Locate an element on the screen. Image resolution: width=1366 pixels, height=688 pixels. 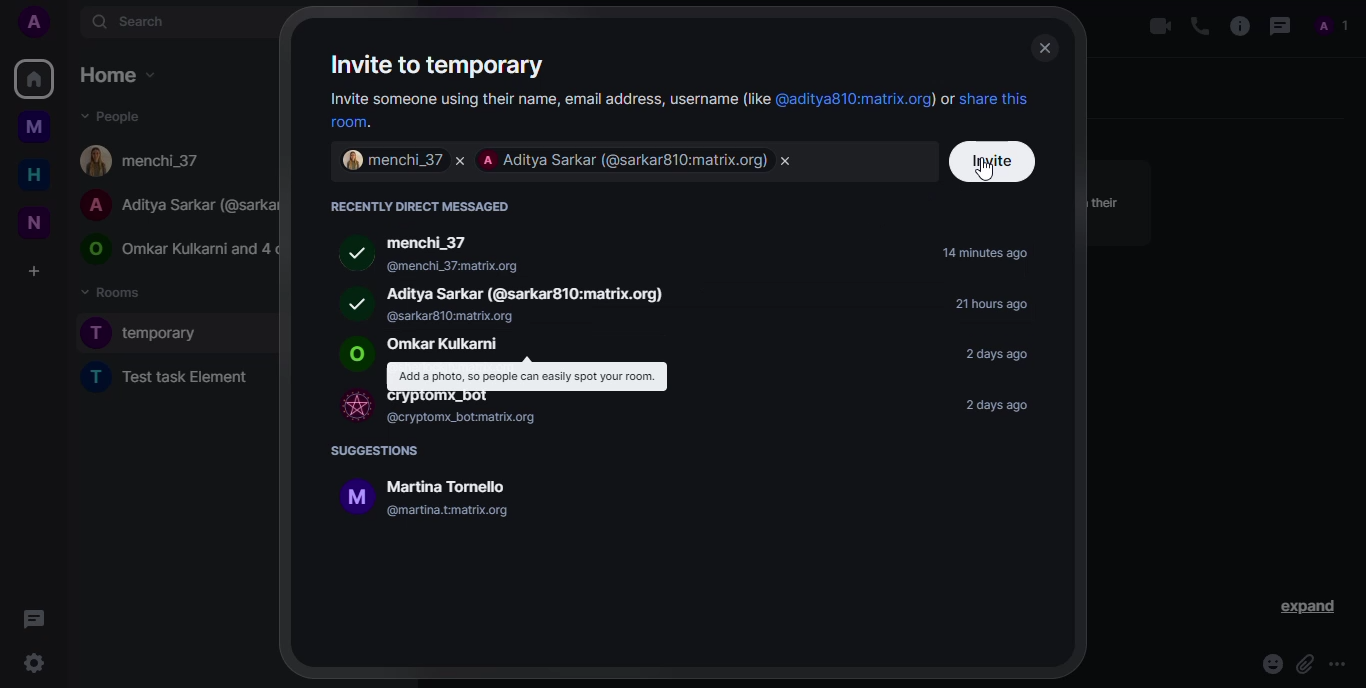
A Aditya Sarkar (@sarkar810:matrix.org) is located at coordinates (624, 160).